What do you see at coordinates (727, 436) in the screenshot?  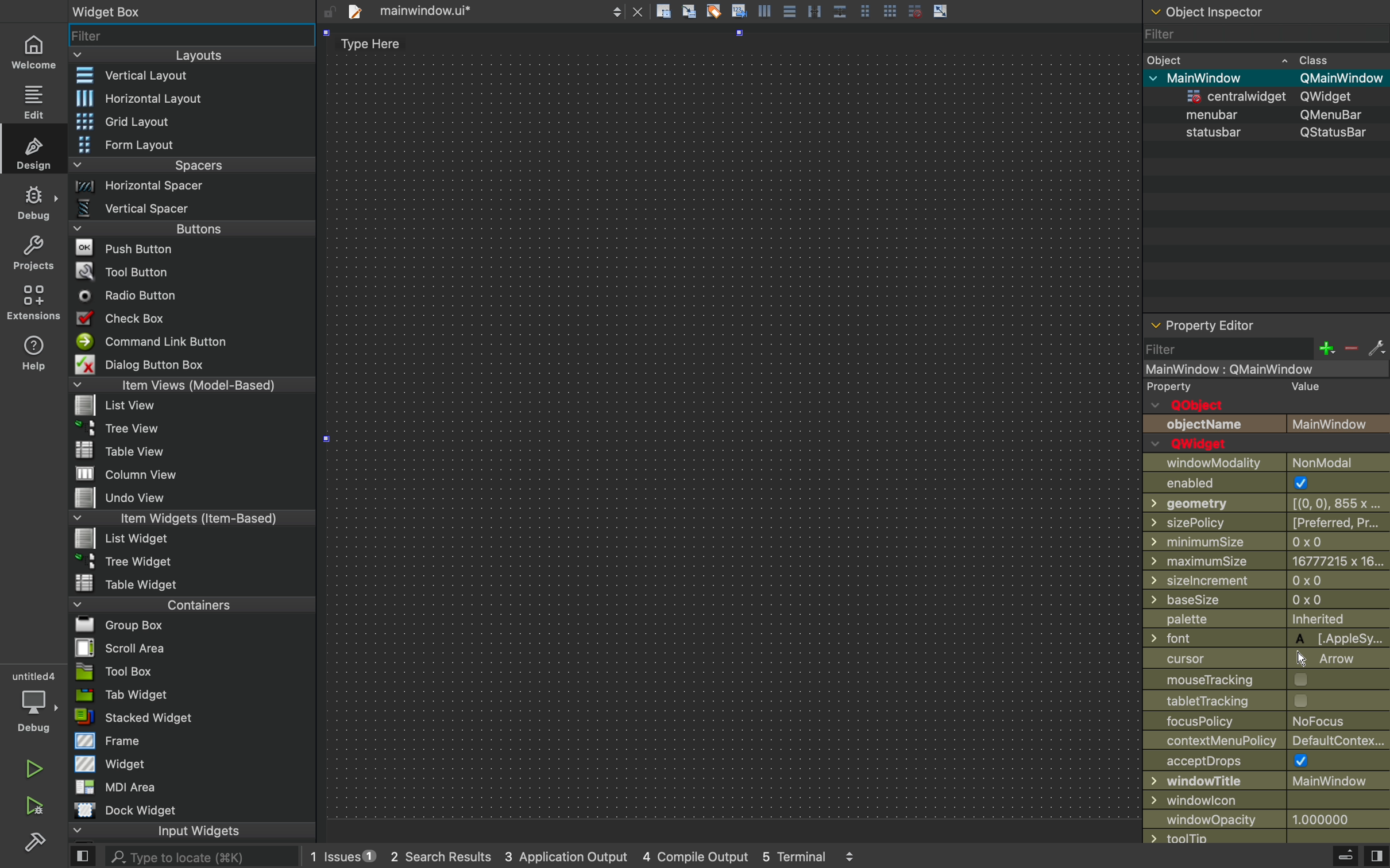 I see `design area` at bounding box center [727, 436].